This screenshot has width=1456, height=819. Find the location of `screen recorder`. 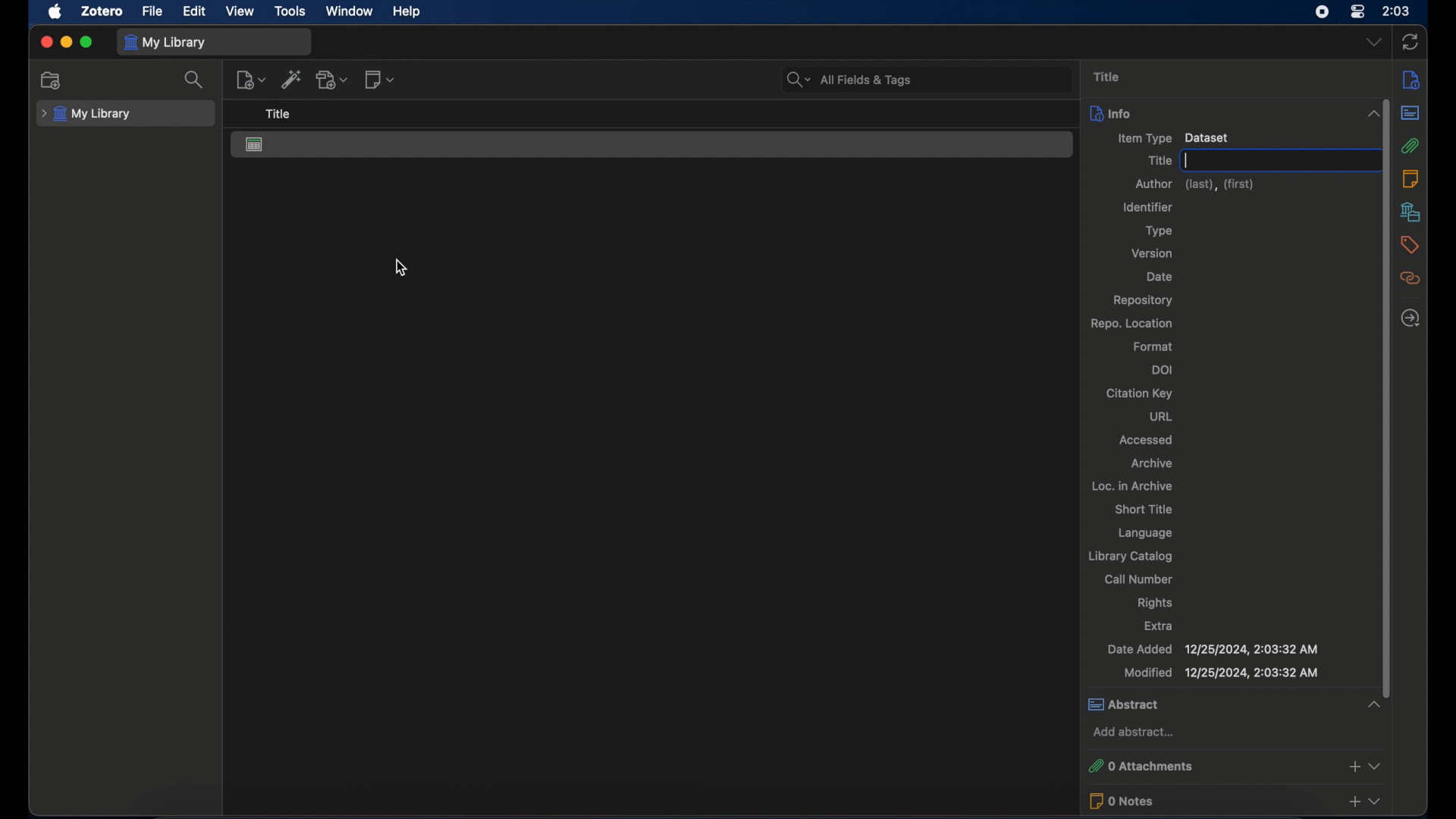

screen recorder is located at coordinates (1323, 12).